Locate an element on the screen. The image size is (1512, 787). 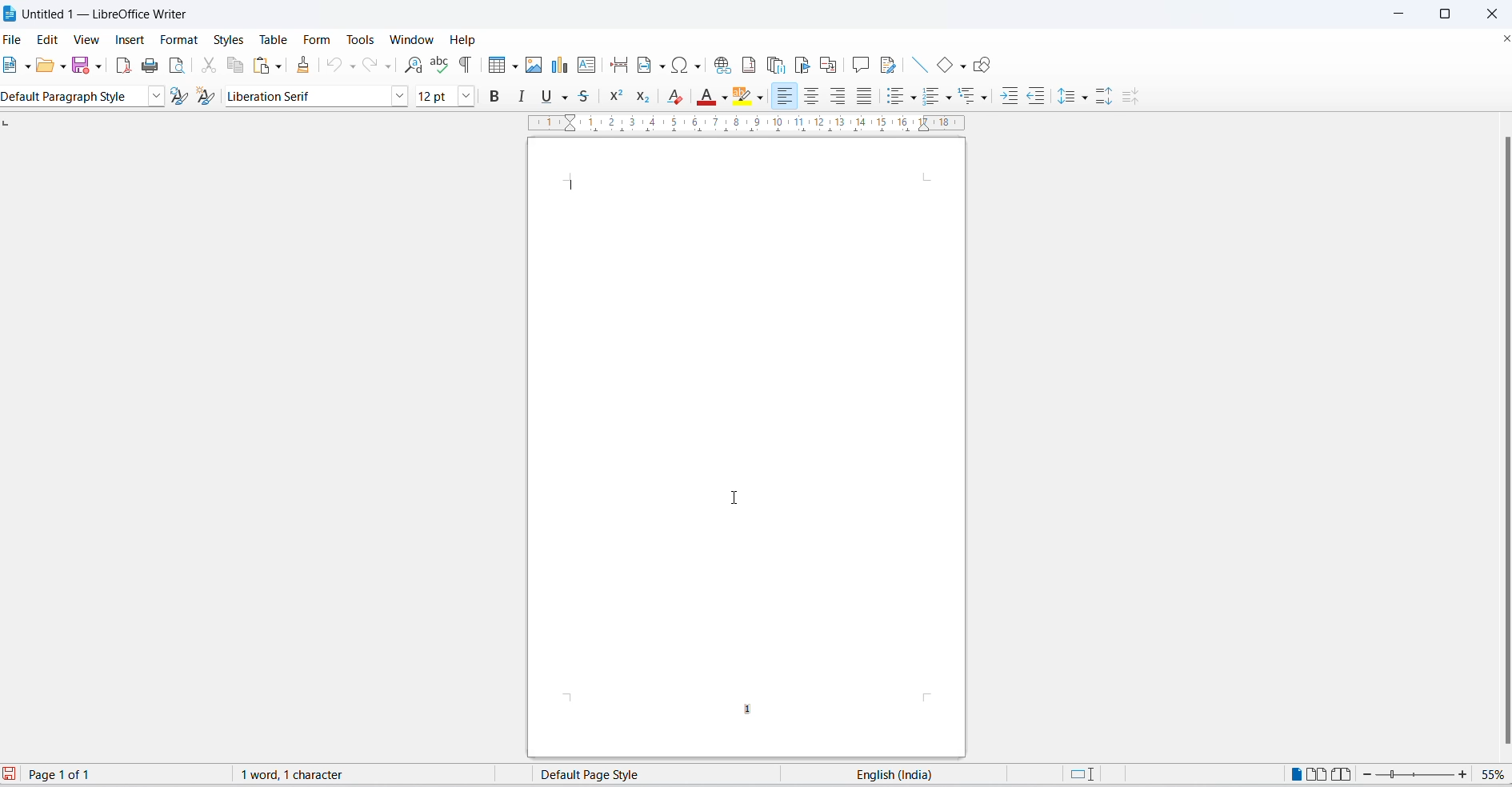
close document is located at coordinates (1502, 41).